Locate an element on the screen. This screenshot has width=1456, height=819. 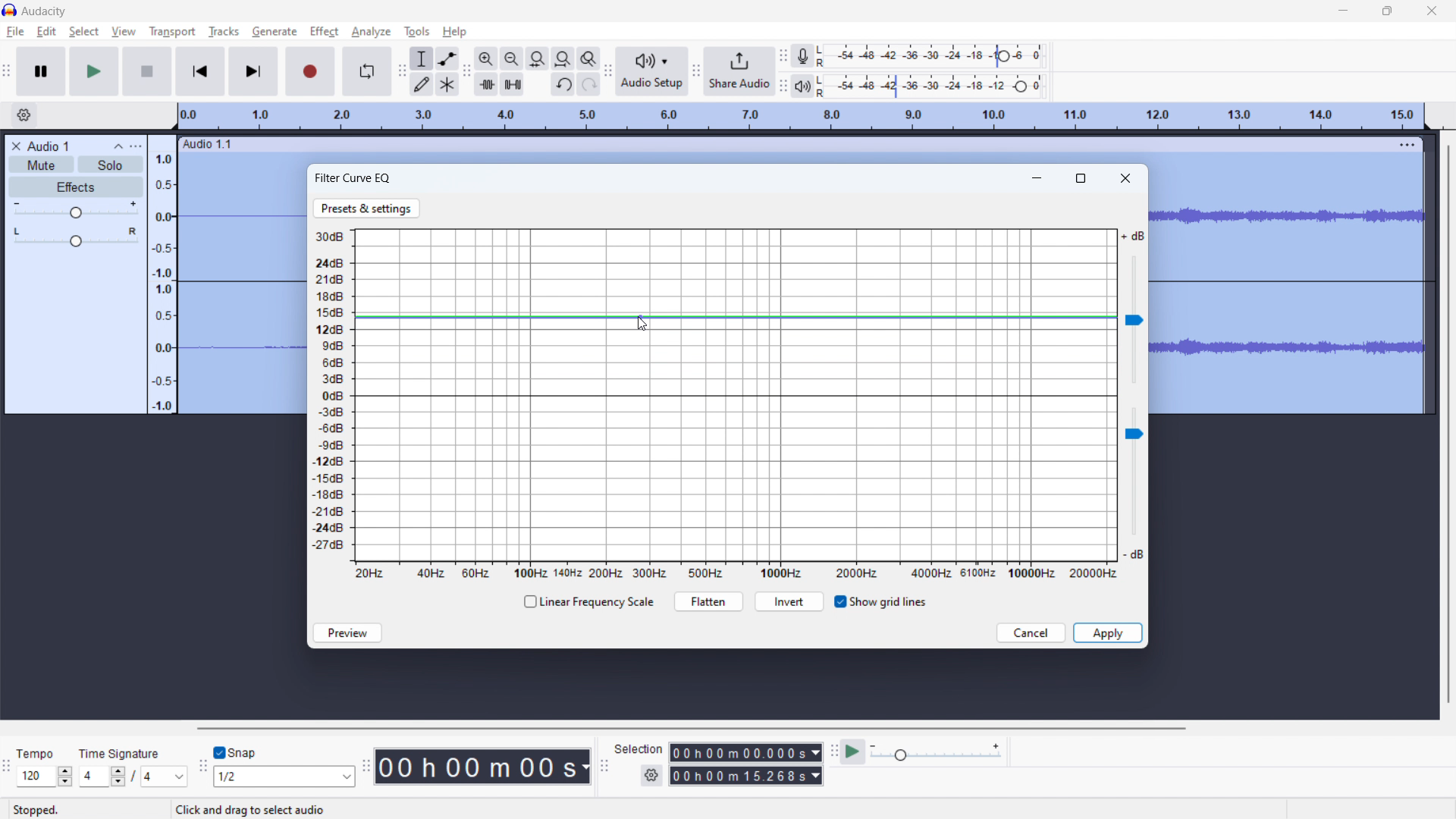
collapse is located at coordinates (119, 147).